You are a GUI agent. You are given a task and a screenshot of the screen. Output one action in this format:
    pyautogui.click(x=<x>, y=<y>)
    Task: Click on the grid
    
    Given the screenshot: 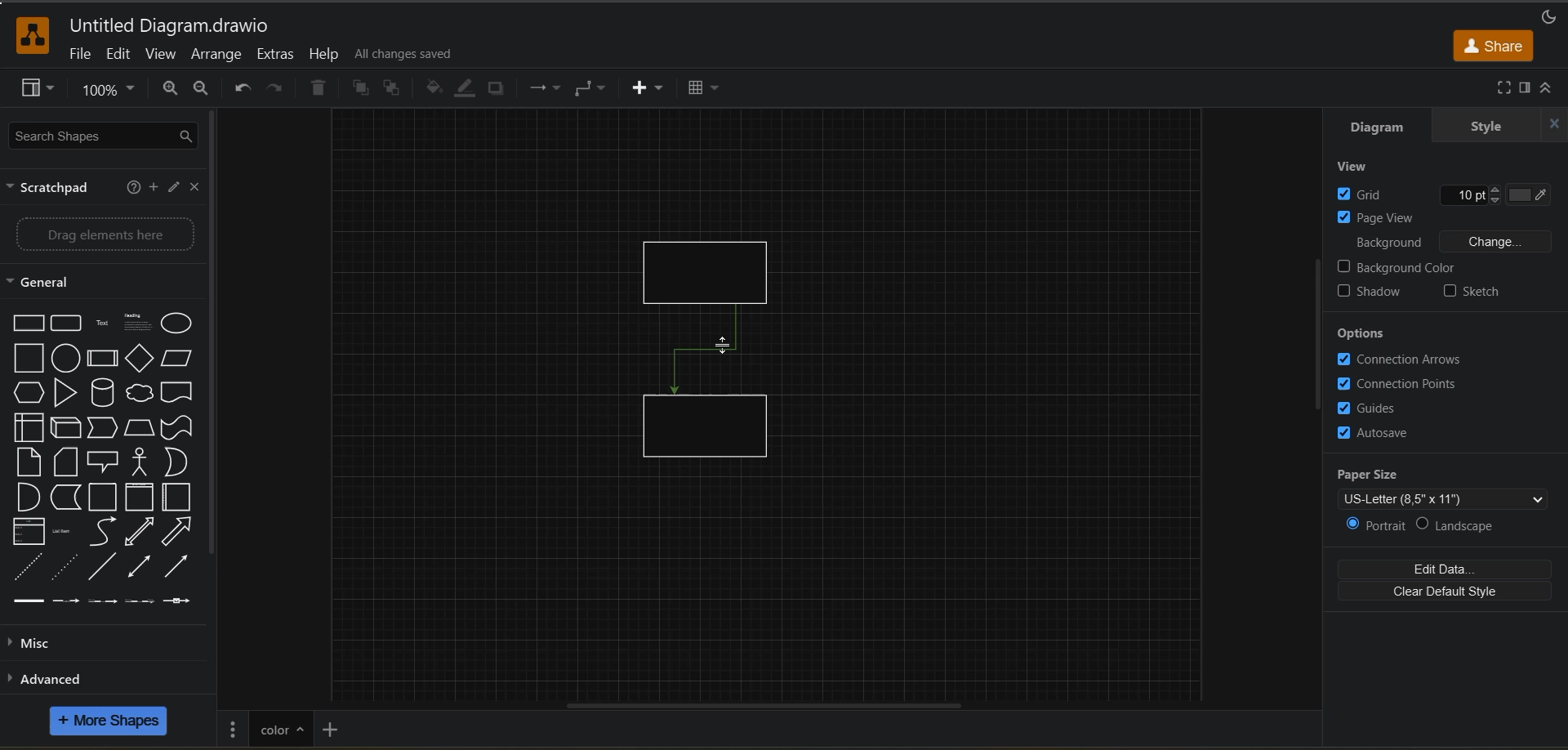 What is the action you would take?
    pyautogui.click(x=1445, y=194)
    